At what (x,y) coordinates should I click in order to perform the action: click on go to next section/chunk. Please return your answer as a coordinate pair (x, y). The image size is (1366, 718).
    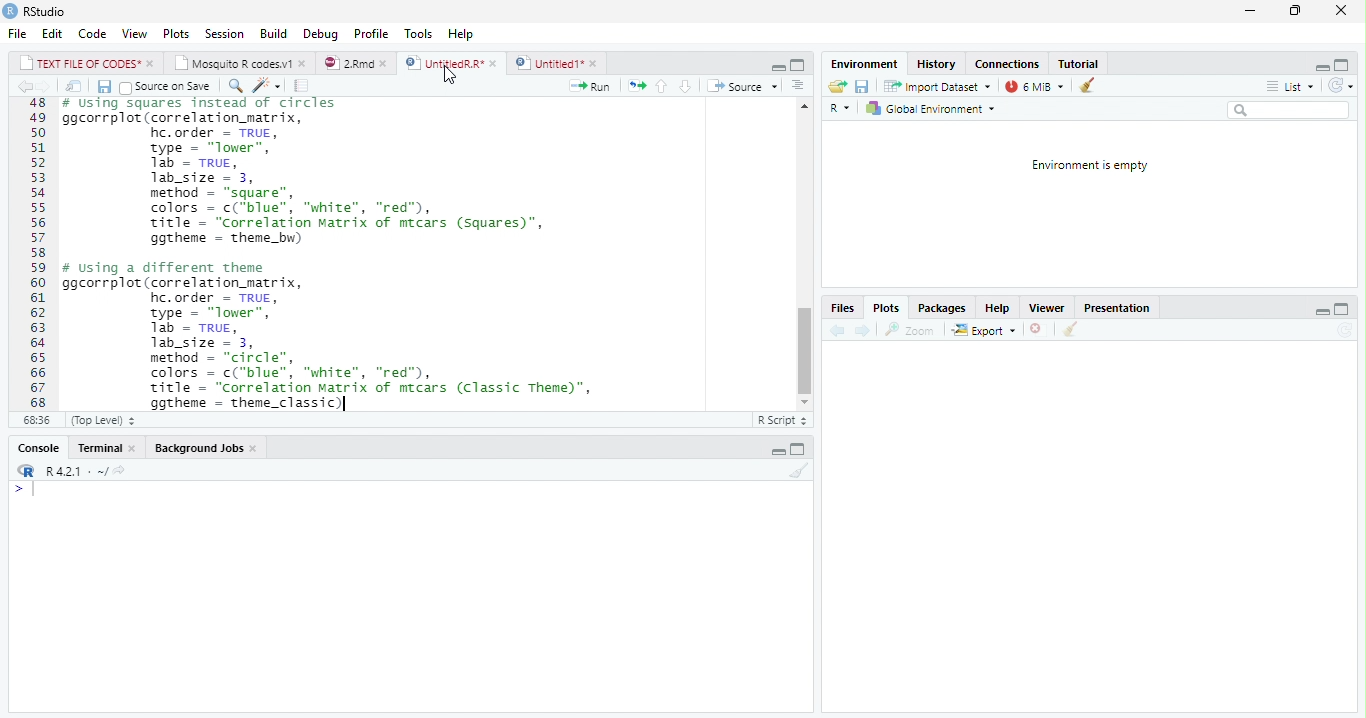
    Looking at the image, I should click on (683, 86).